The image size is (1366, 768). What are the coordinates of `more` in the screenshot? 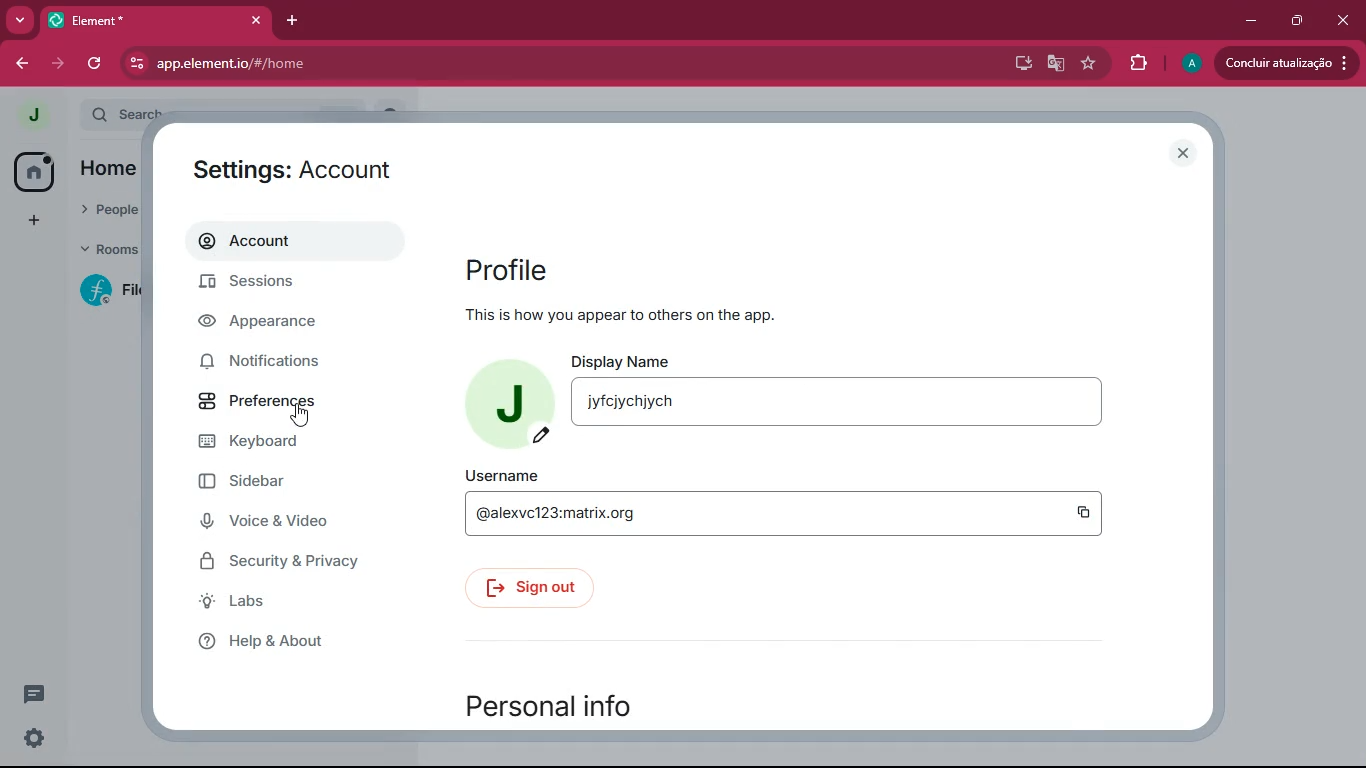 It's located at (20, 20).